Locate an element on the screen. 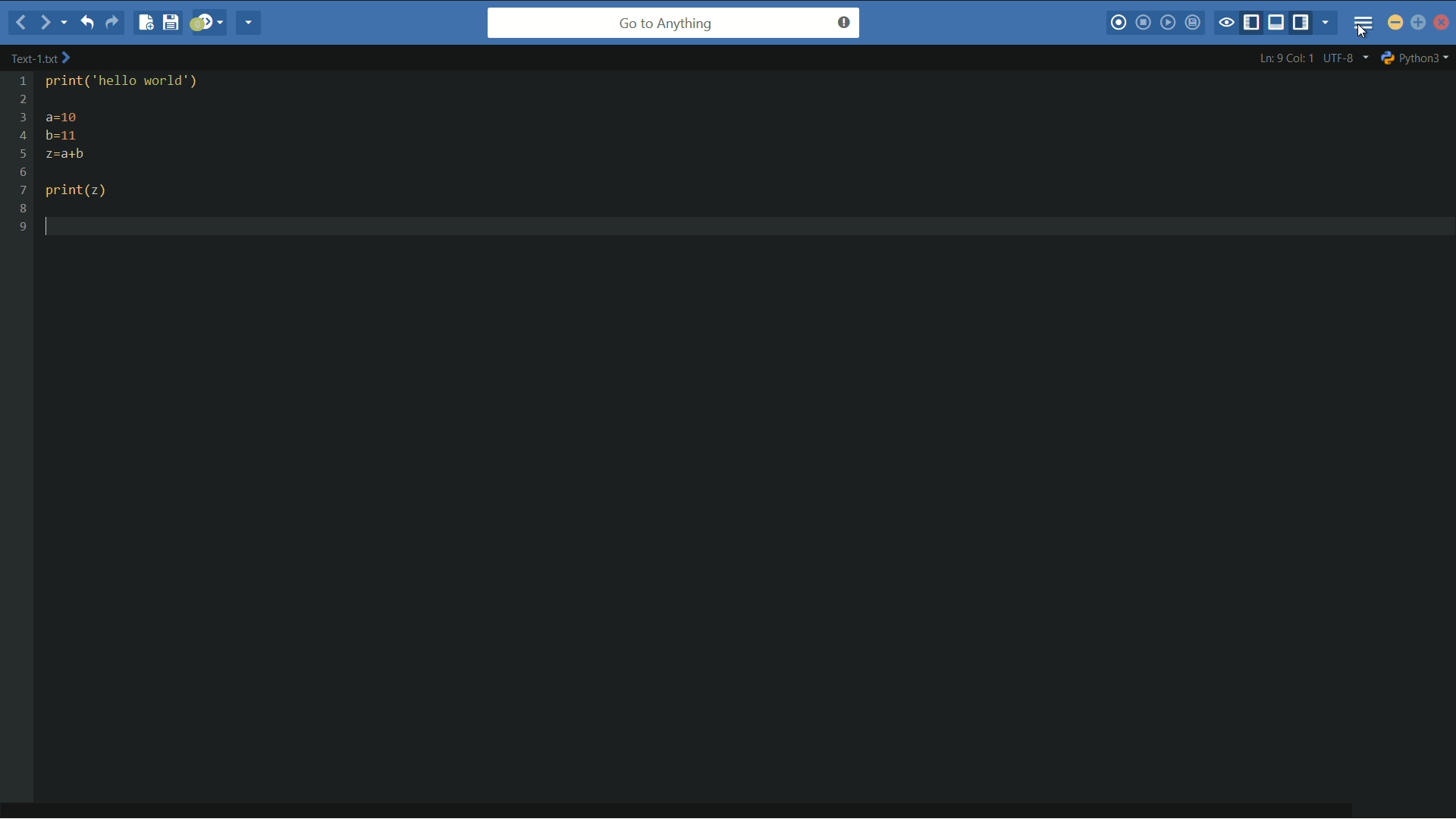  new file is located at coordinates (143, 23).